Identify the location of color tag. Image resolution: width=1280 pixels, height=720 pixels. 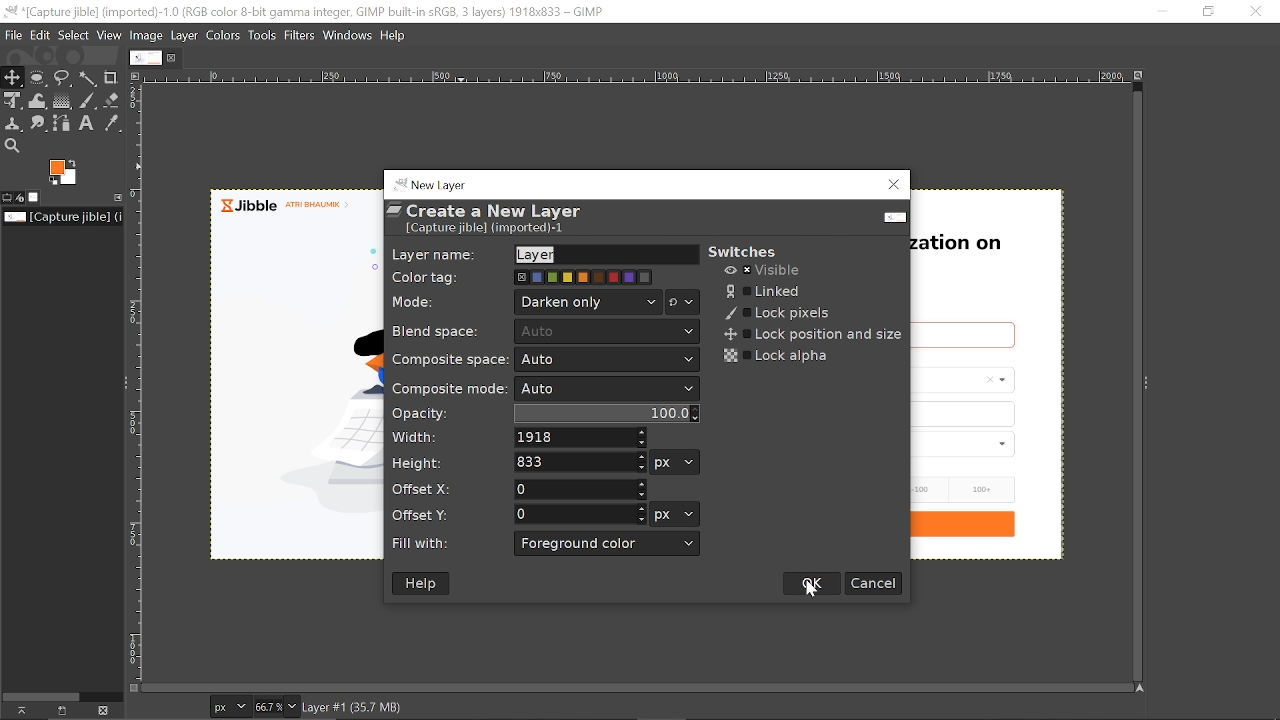
(424, 277).